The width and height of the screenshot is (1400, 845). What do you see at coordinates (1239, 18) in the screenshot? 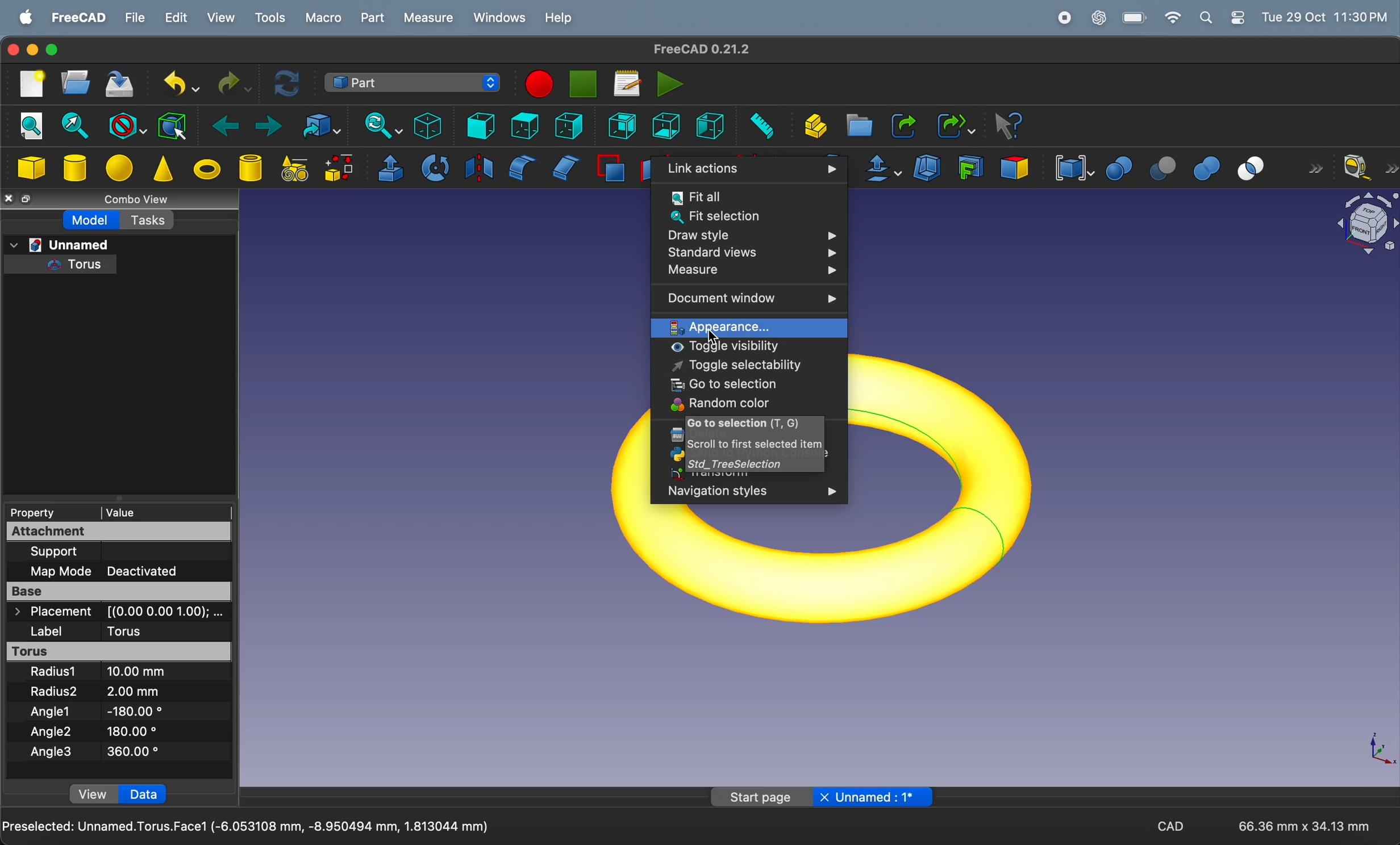
I see `settings` at bounding box center [1239, 18].